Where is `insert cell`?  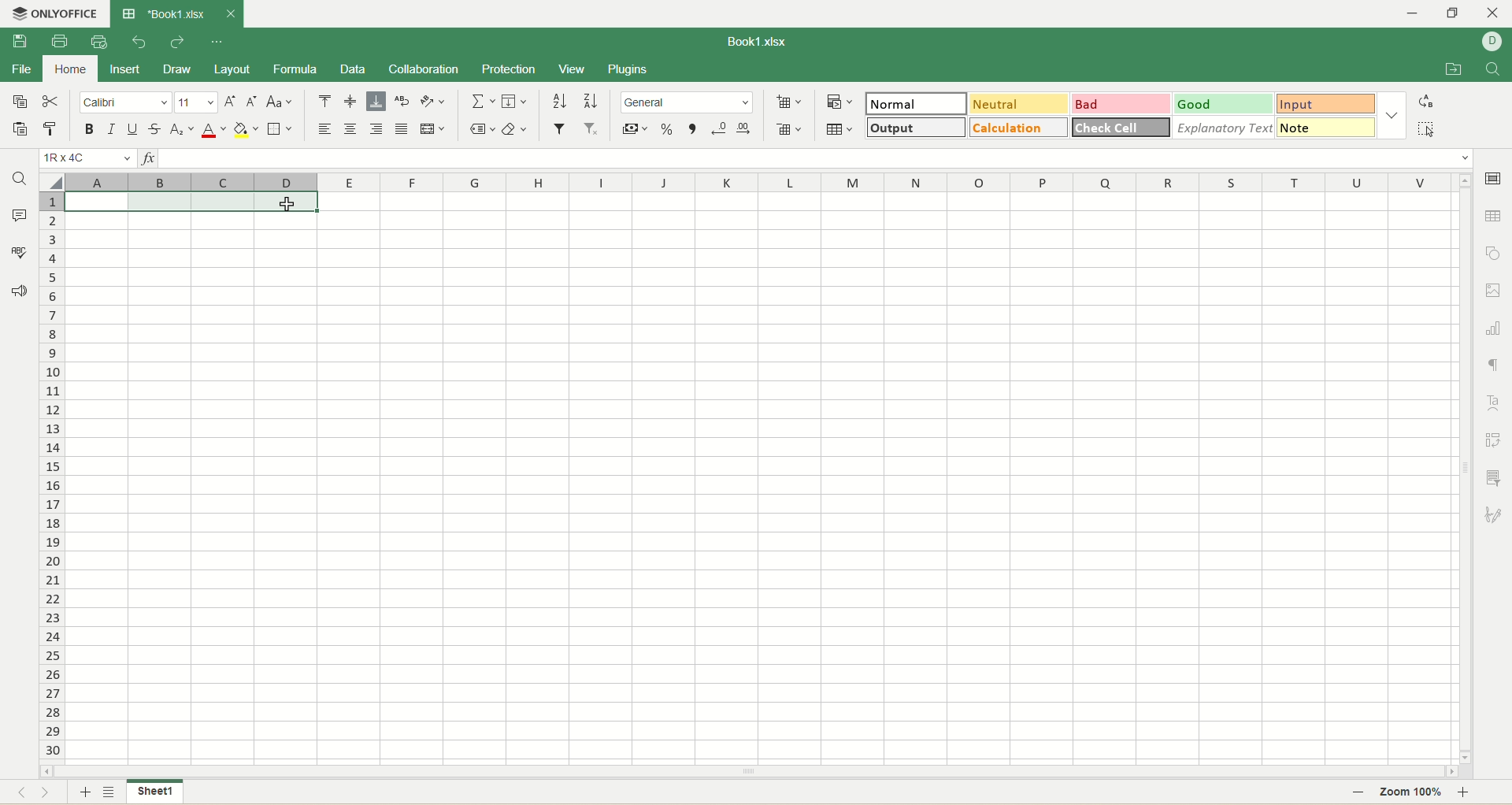
insert cell is located at coordinates (789, 103).